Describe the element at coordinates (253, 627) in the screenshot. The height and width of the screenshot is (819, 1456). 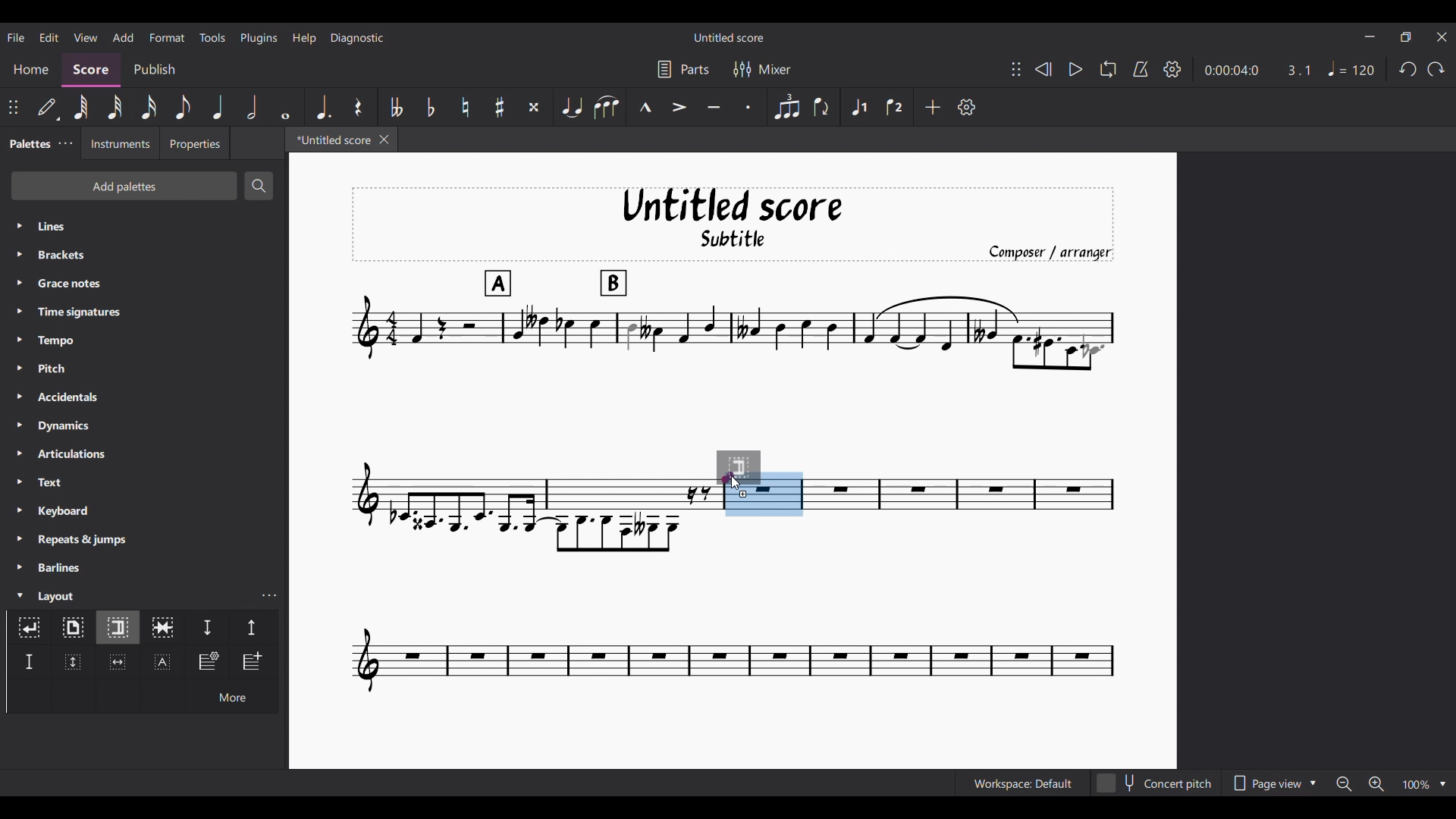
I see `Staff spacer up` at that location.